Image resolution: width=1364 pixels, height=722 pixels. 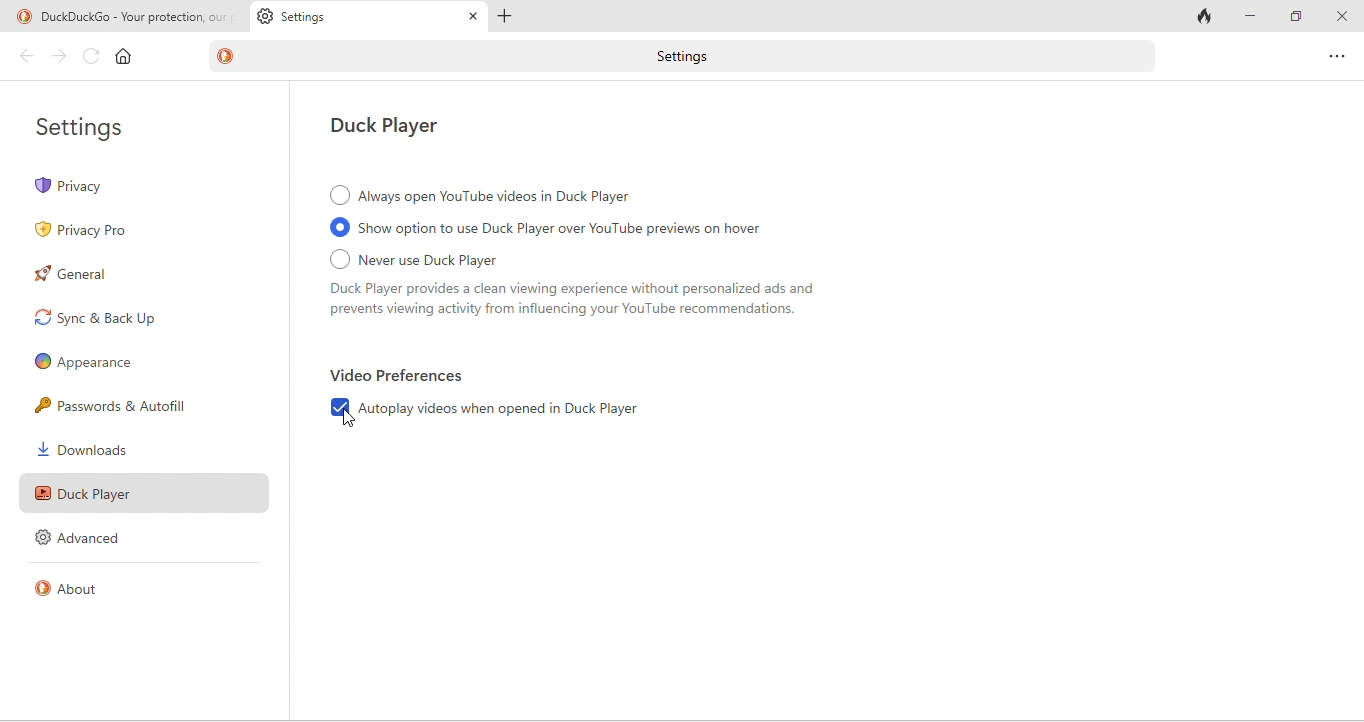 I want to click on settings, so click(x=690, y=57).